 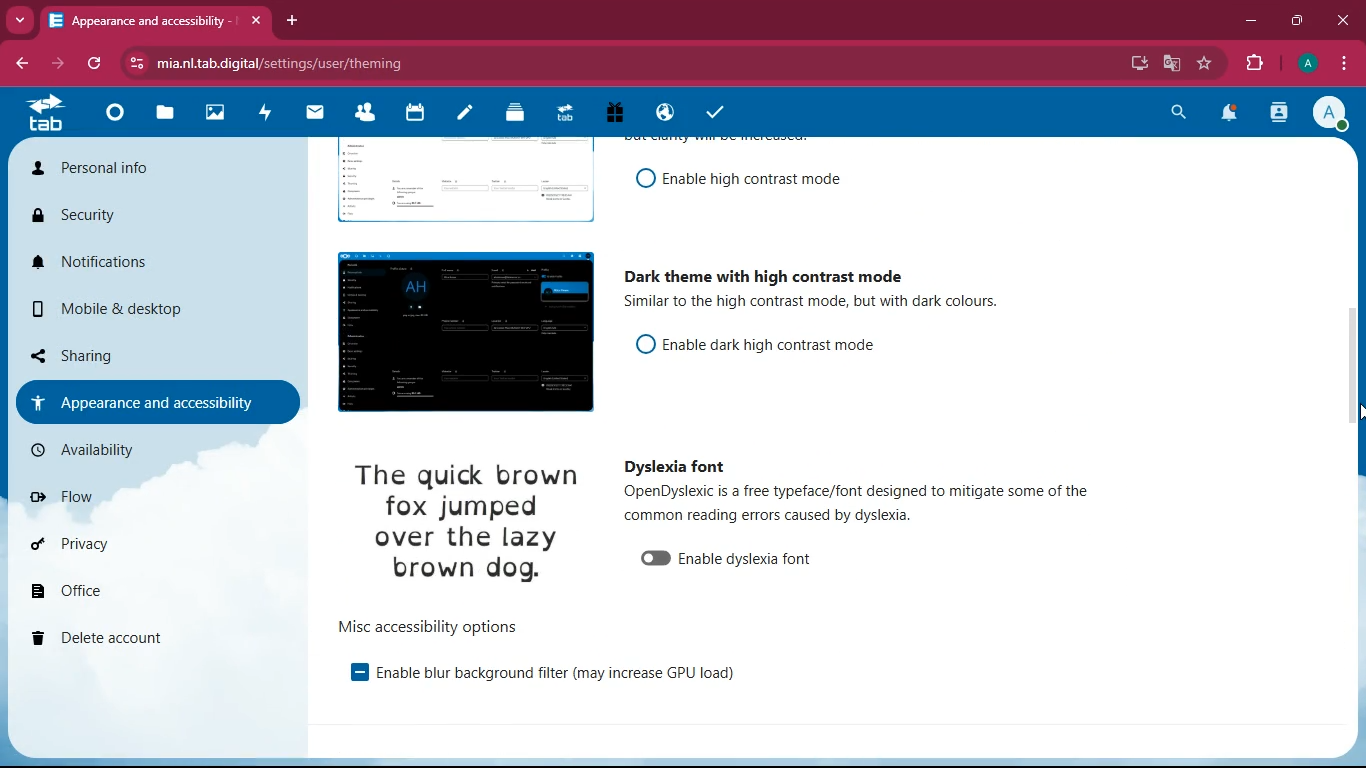 I want to click on image, so click(x=476, y=524).